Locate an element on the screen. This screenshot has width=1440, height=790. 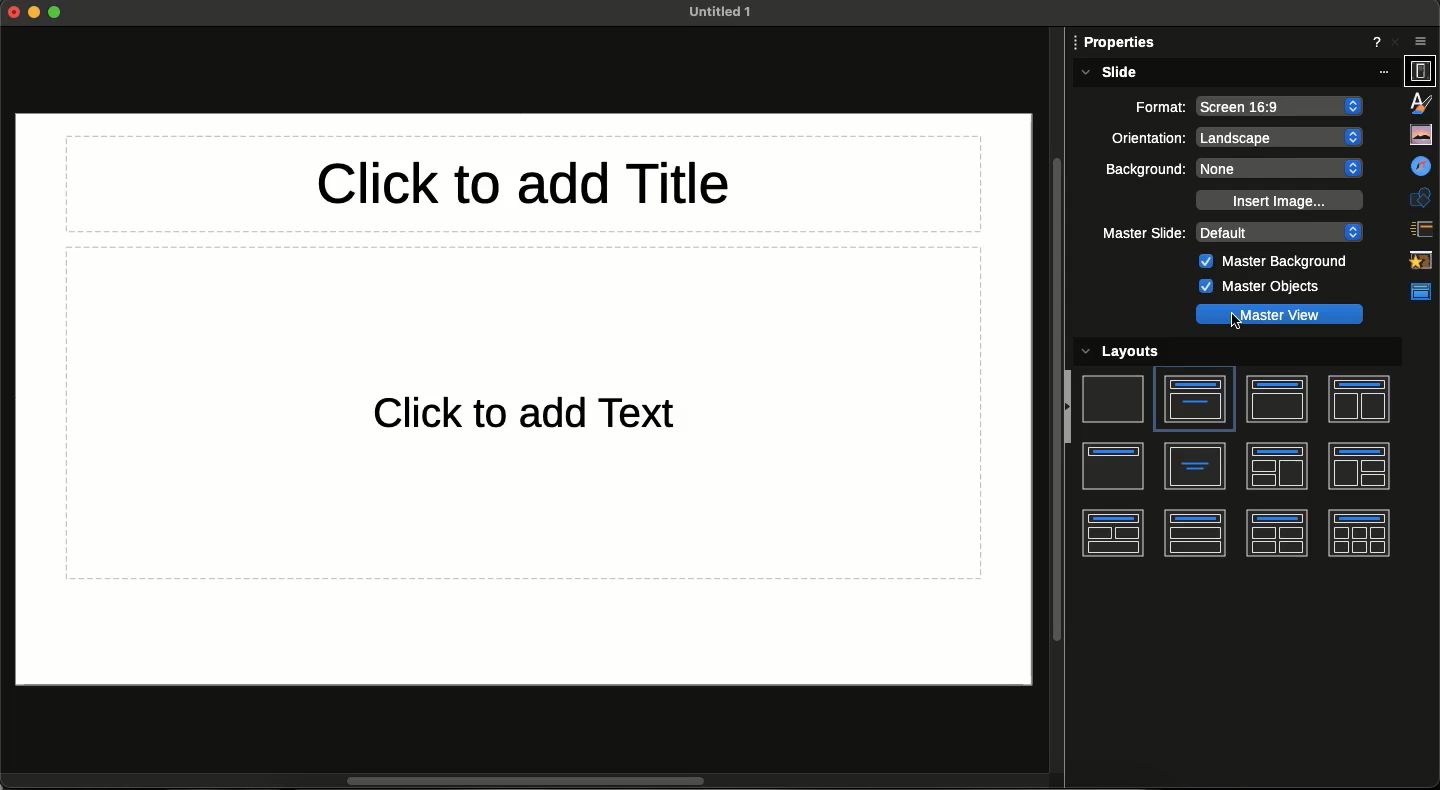
Title and three boxes is located at coordinates (1111, 533).